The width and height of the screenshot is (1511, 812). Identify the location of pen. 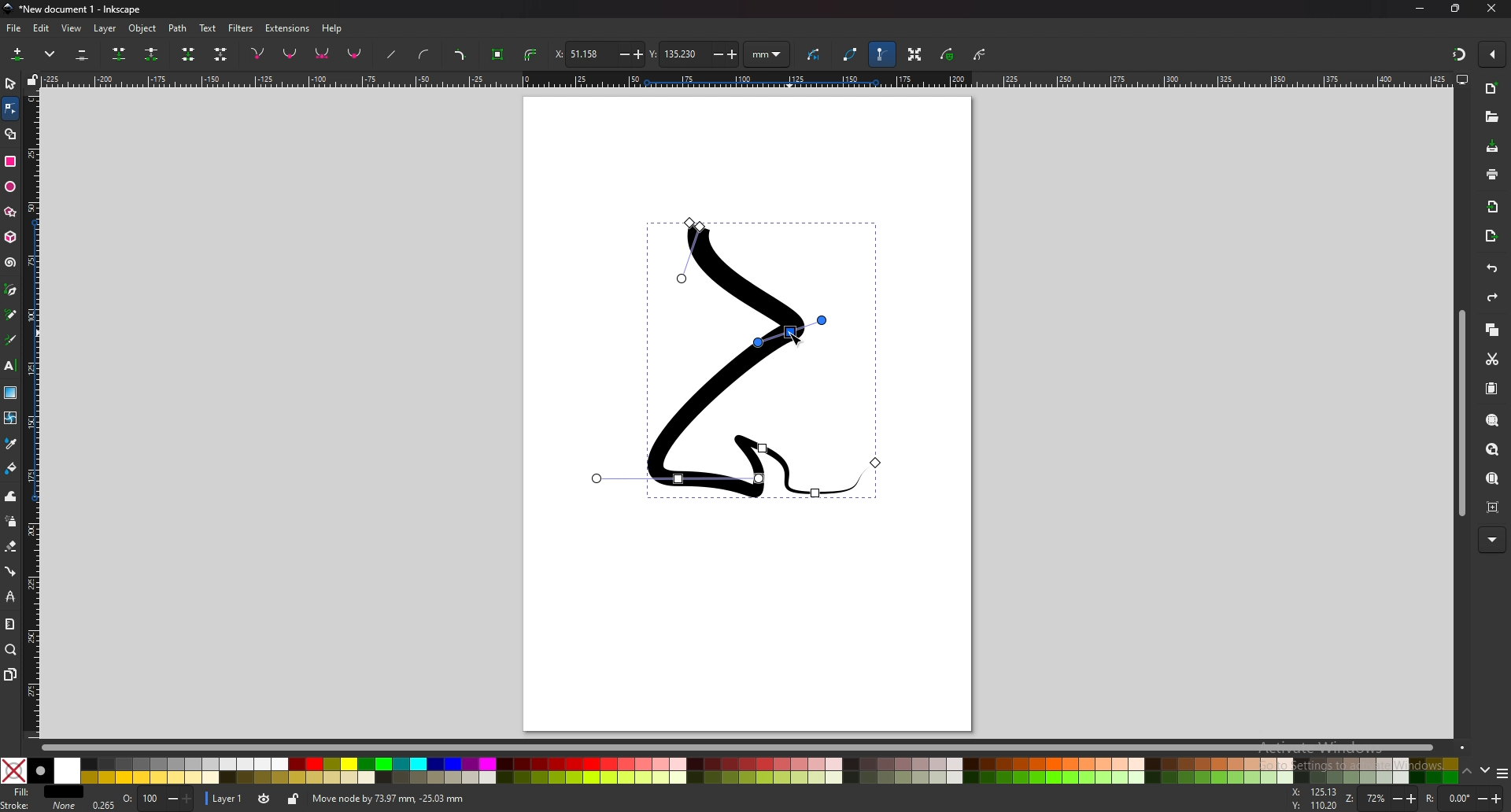
(11, 290).